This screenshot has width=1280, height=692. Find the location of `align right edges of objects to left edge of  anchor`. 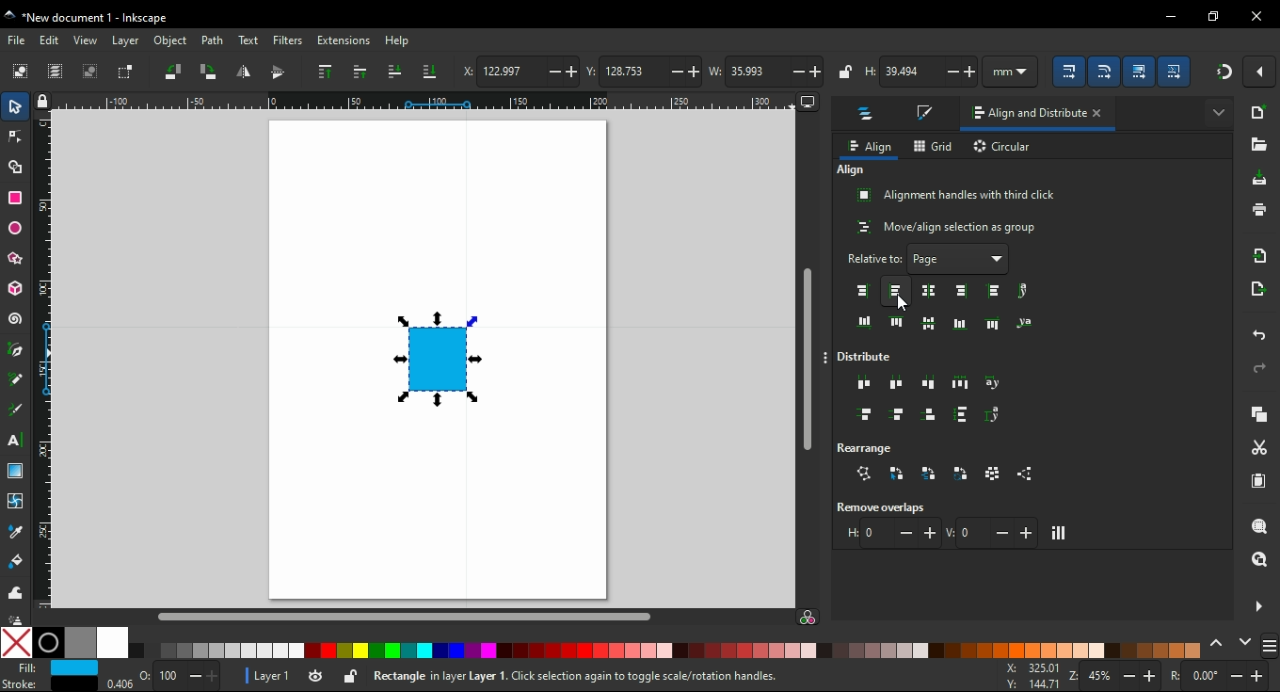

align right edges of objects to left edge of  anchor is located at coordinates (863, 290).